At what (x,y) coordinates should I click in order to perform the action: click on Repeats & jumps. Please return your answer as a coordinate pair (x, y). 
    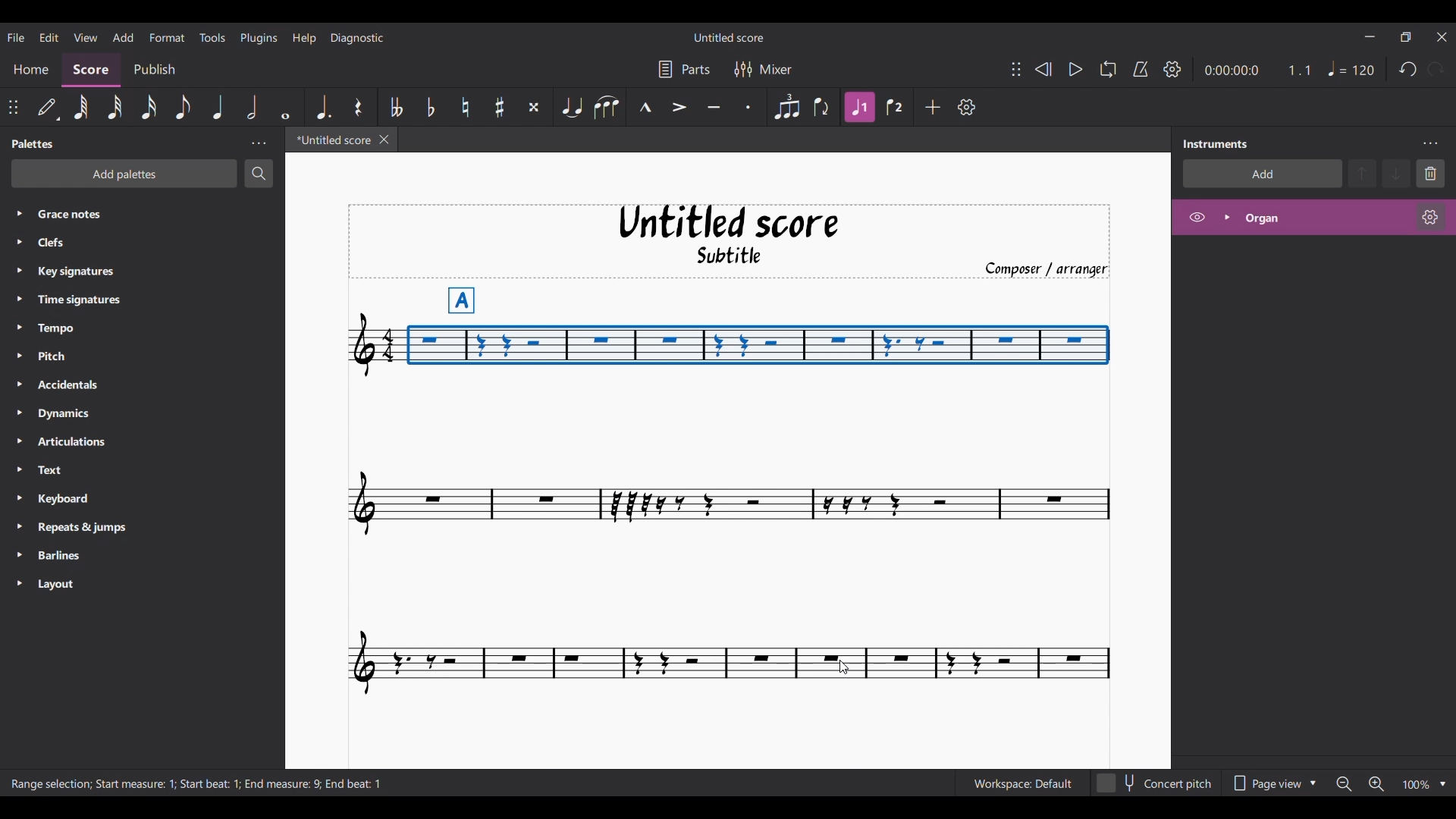
    Looking at the image, I should click on (89, 527).